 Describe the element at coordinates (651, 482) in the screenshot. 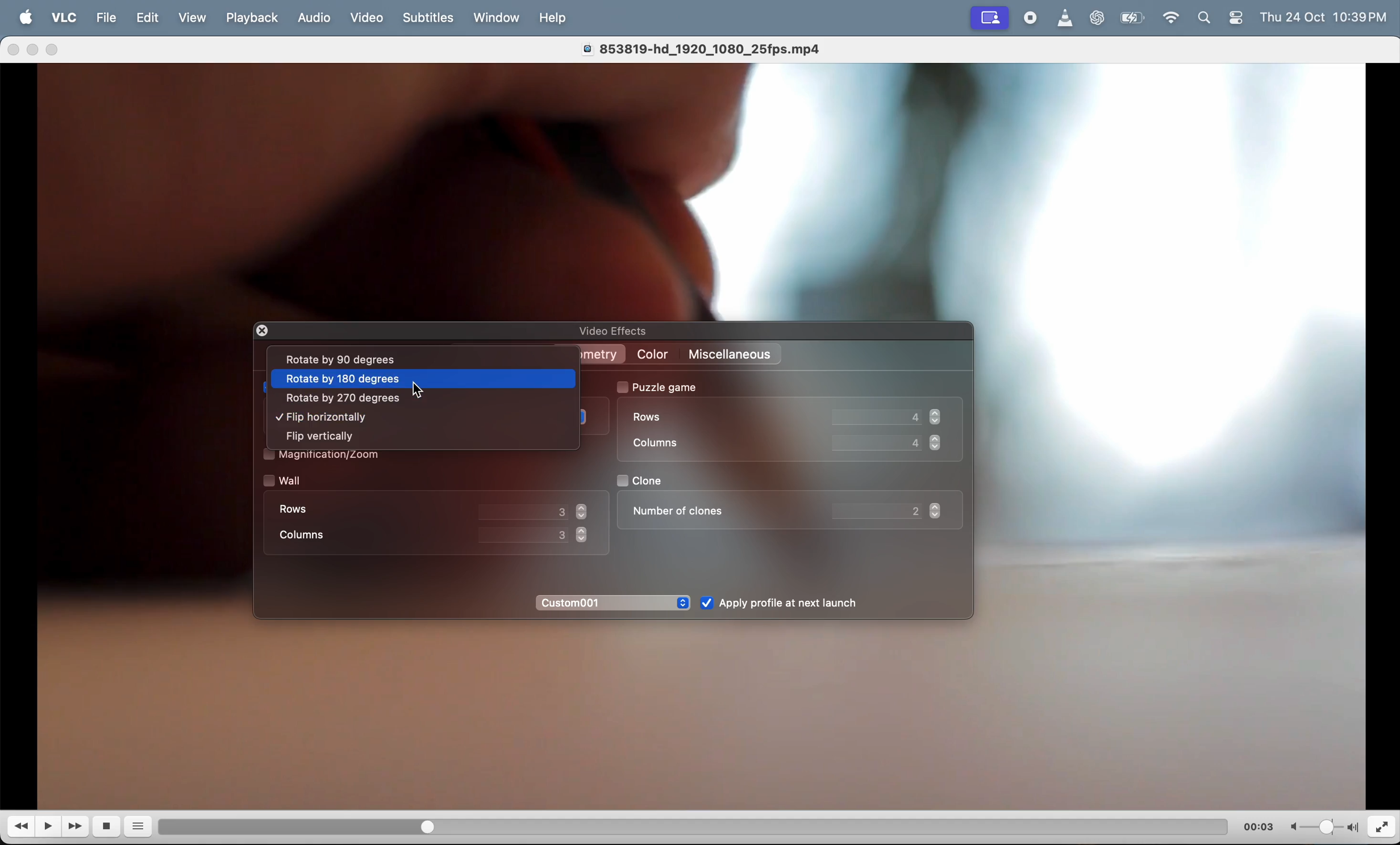

I see `clone` at that location.